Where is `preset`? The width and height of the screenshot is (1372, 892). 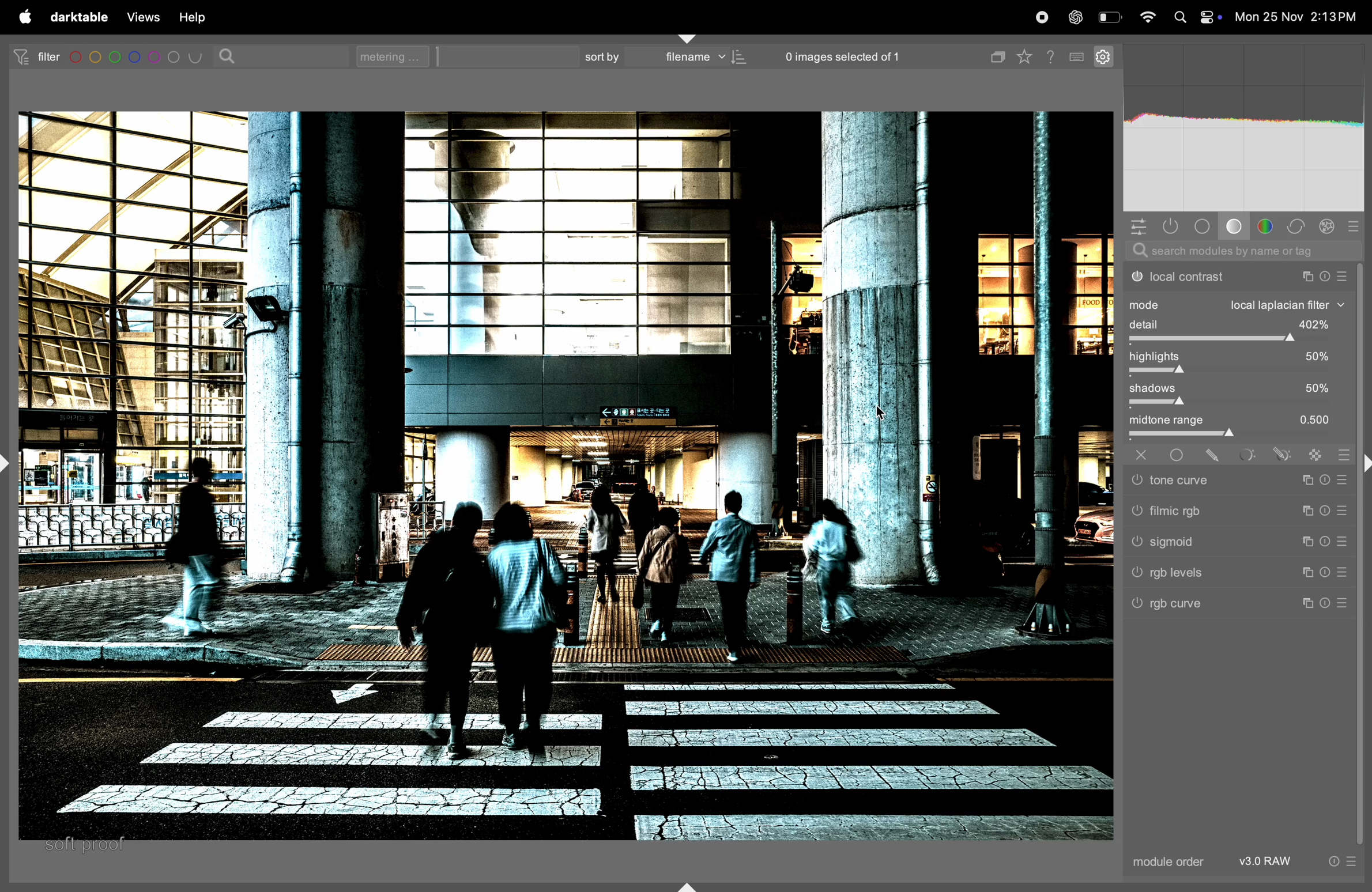 preset is located at coordinates (1343, 479).